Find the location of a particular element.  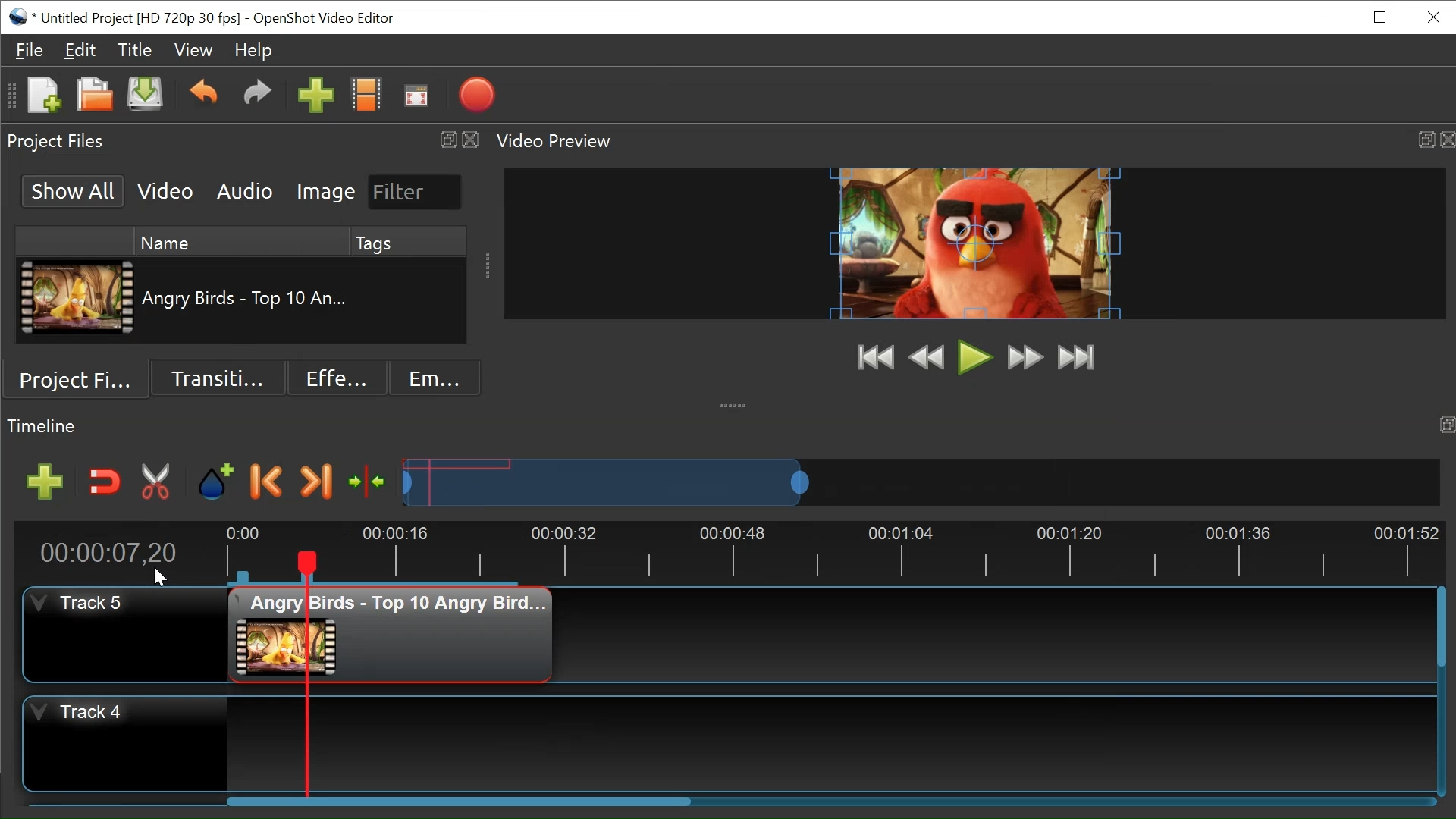

Clip is located at coordinates (75, 298).